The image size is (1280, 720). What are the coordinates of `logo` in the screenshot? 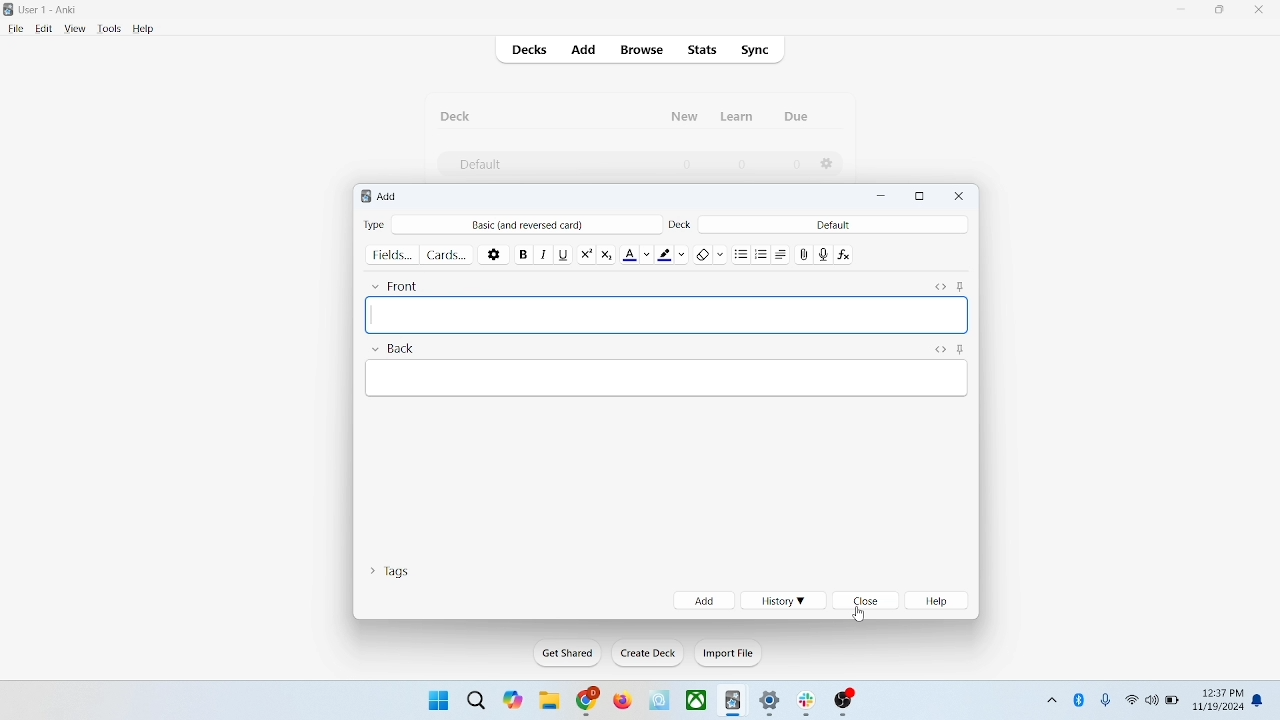 It's located at (362, 198).